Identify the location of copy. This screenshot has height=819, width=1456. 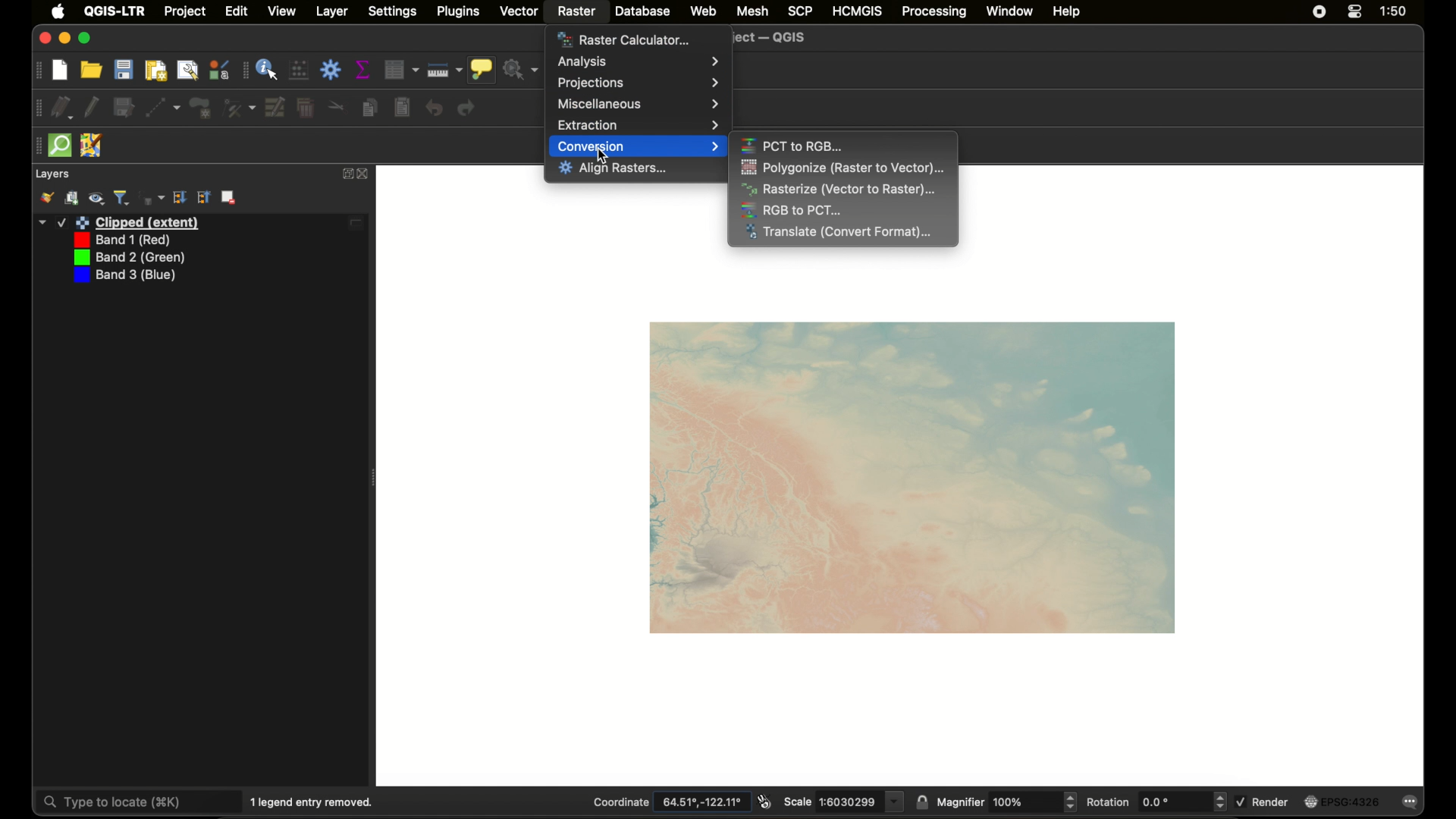
(370, 108).